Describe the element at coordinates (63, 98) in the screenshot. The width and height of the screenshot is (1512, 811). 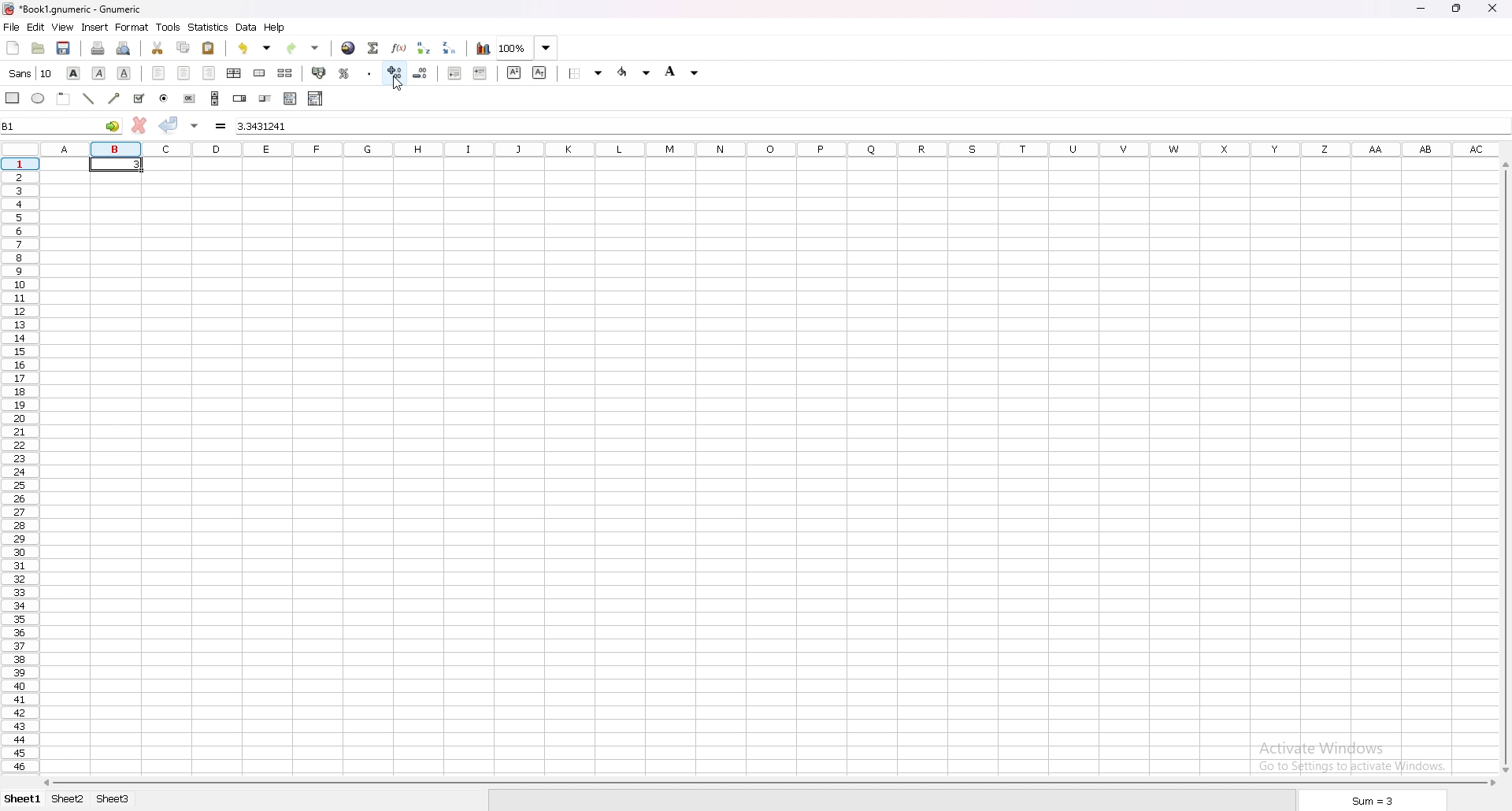
I see `frame` at that location.